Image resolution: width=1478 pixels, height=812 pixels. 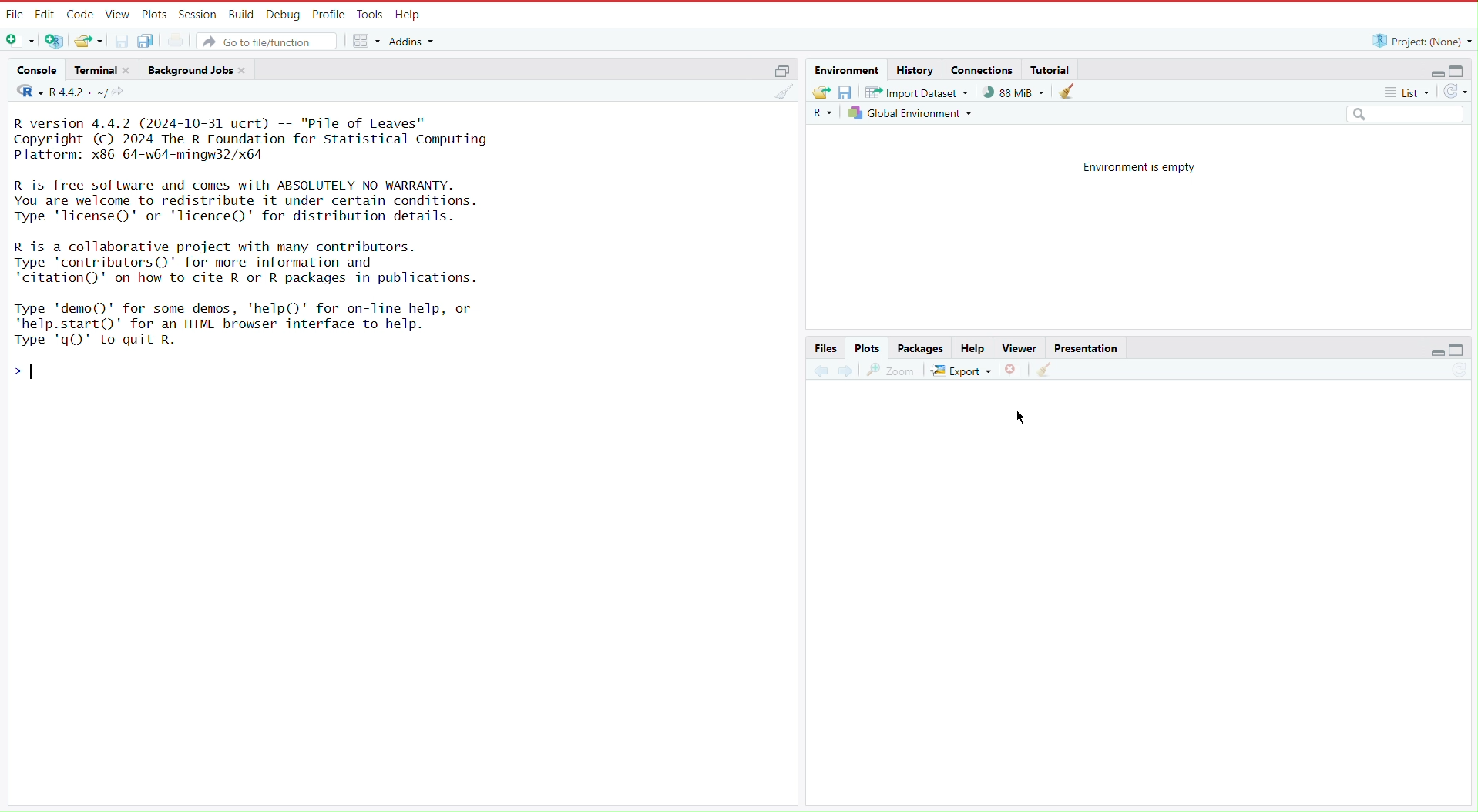 I want to click on , so click(x=1404, y=116).